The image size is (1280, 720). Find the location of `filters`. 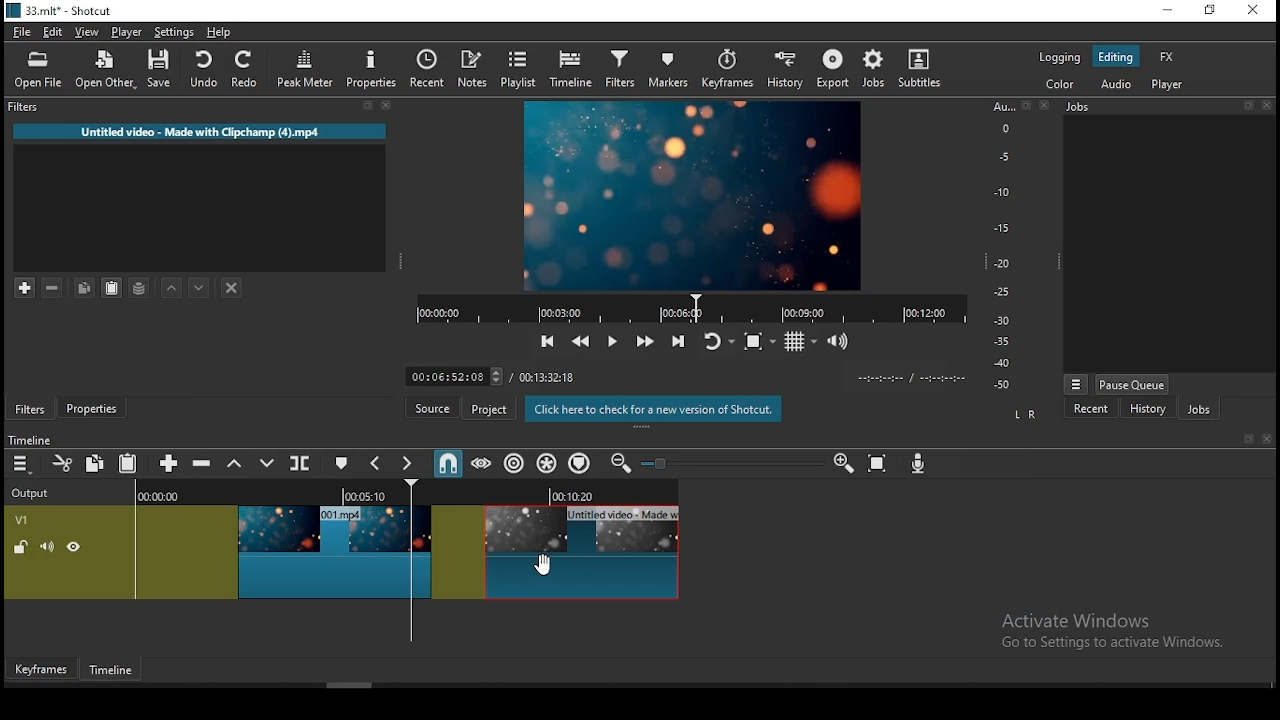

filters is located at coordinates (204, 109).